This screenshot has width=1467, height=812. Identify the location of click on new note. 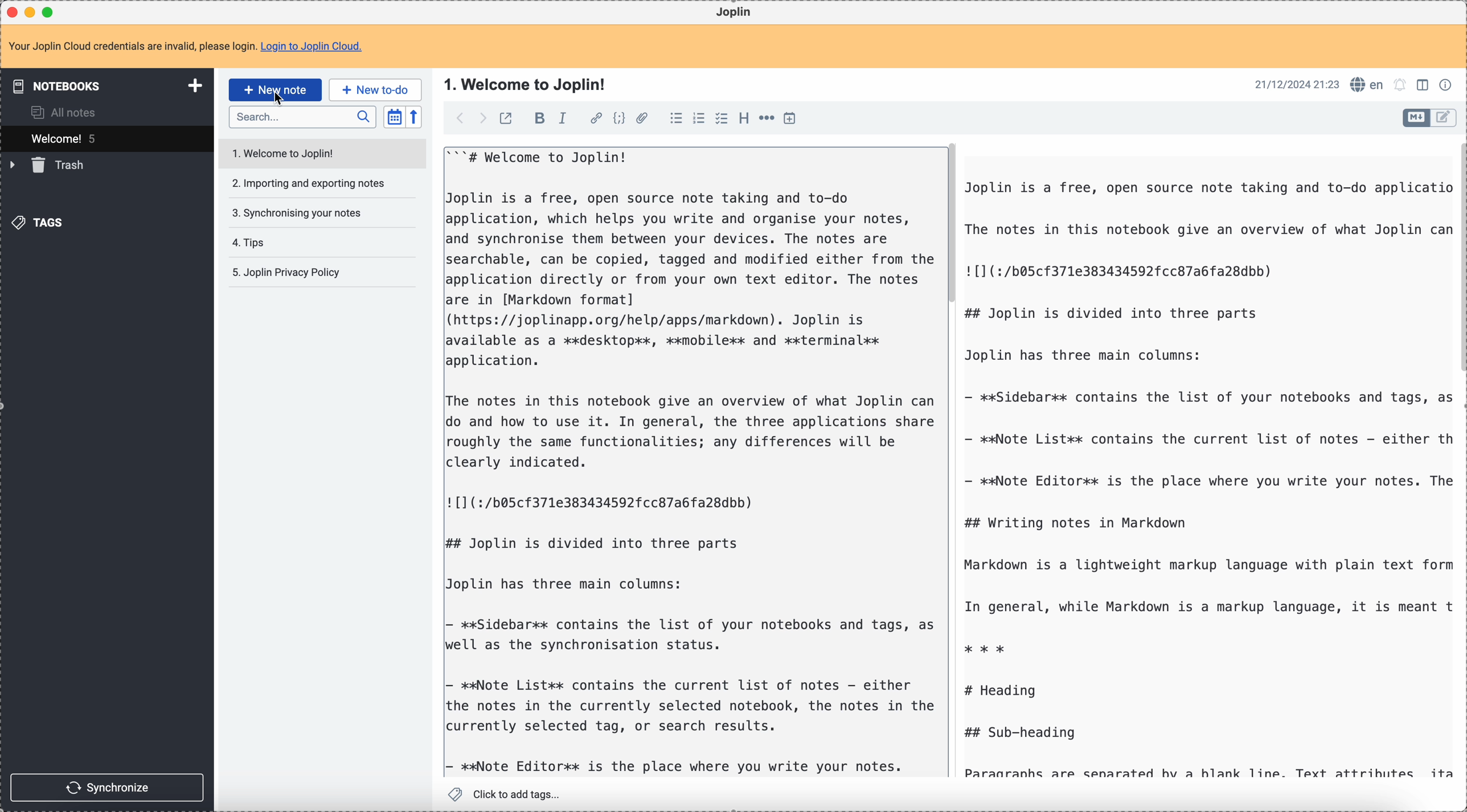
(274, 90).